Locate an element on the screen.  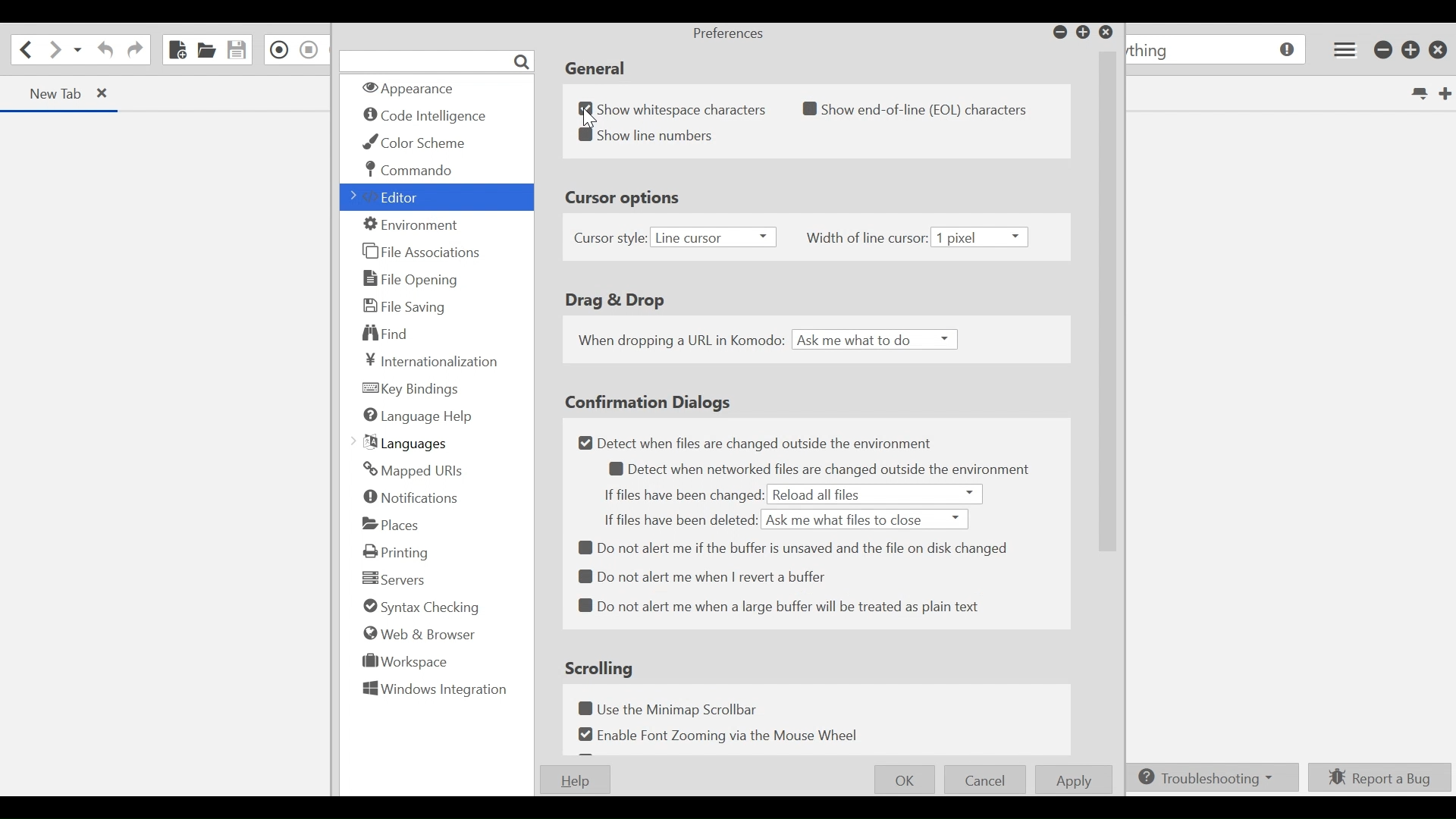
Show line numbers is located at coordinates (648, 135).